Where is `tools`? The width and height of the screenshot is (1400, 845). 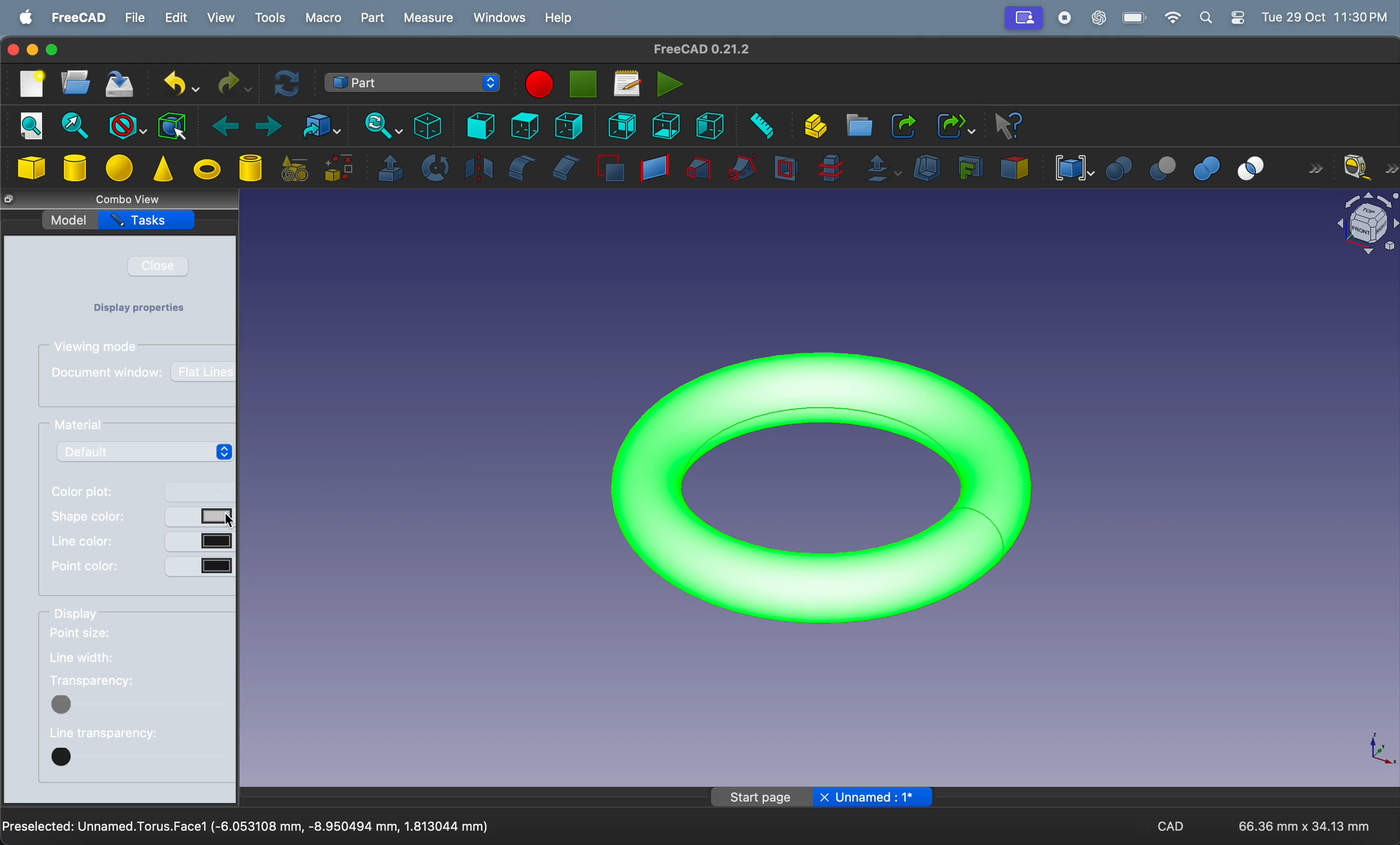
tools is located at coordinates (268, 18).